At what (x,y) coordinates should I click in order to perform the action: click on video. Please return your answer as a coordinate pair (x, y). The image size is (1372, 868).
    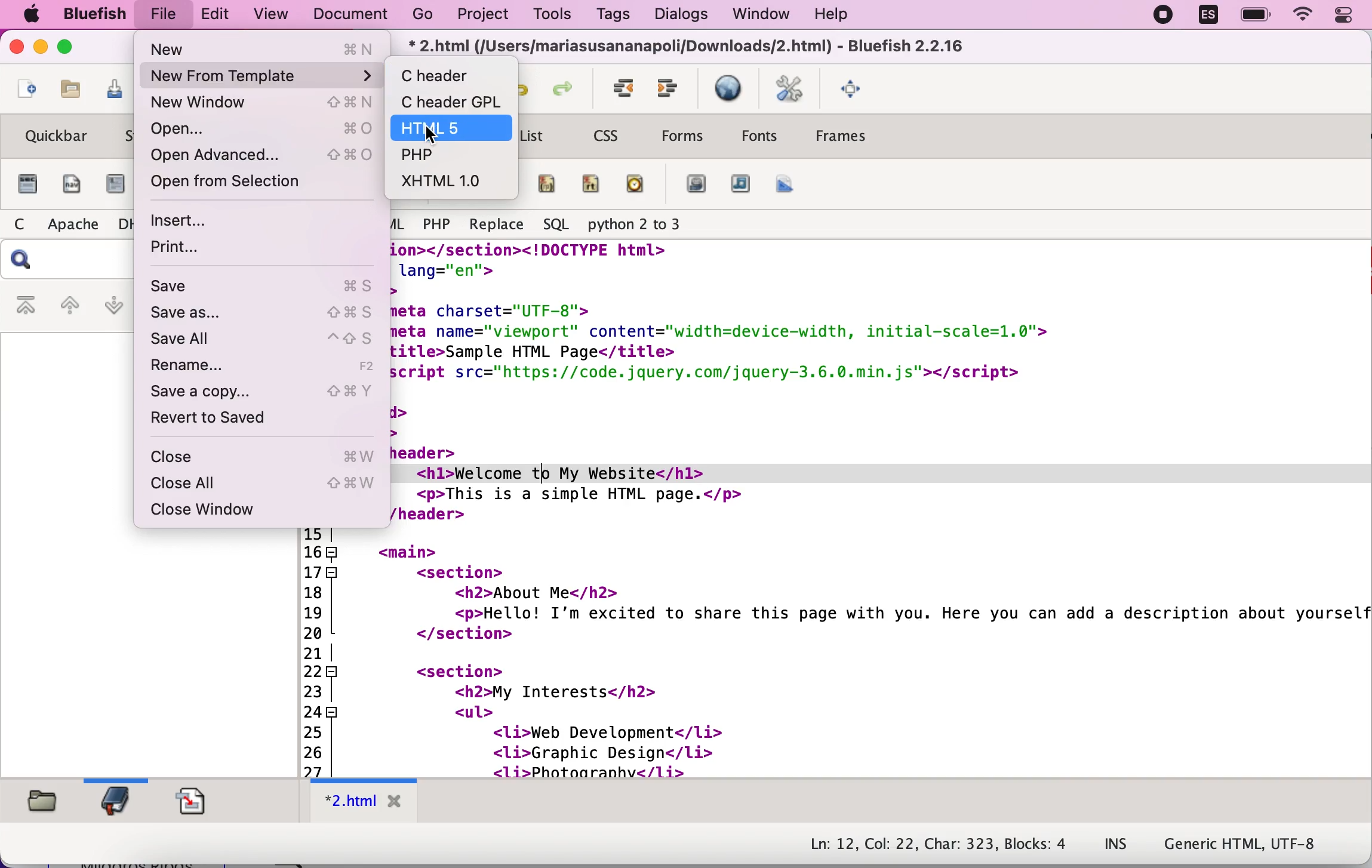
    Looking at the image, I should click on (694, 186).